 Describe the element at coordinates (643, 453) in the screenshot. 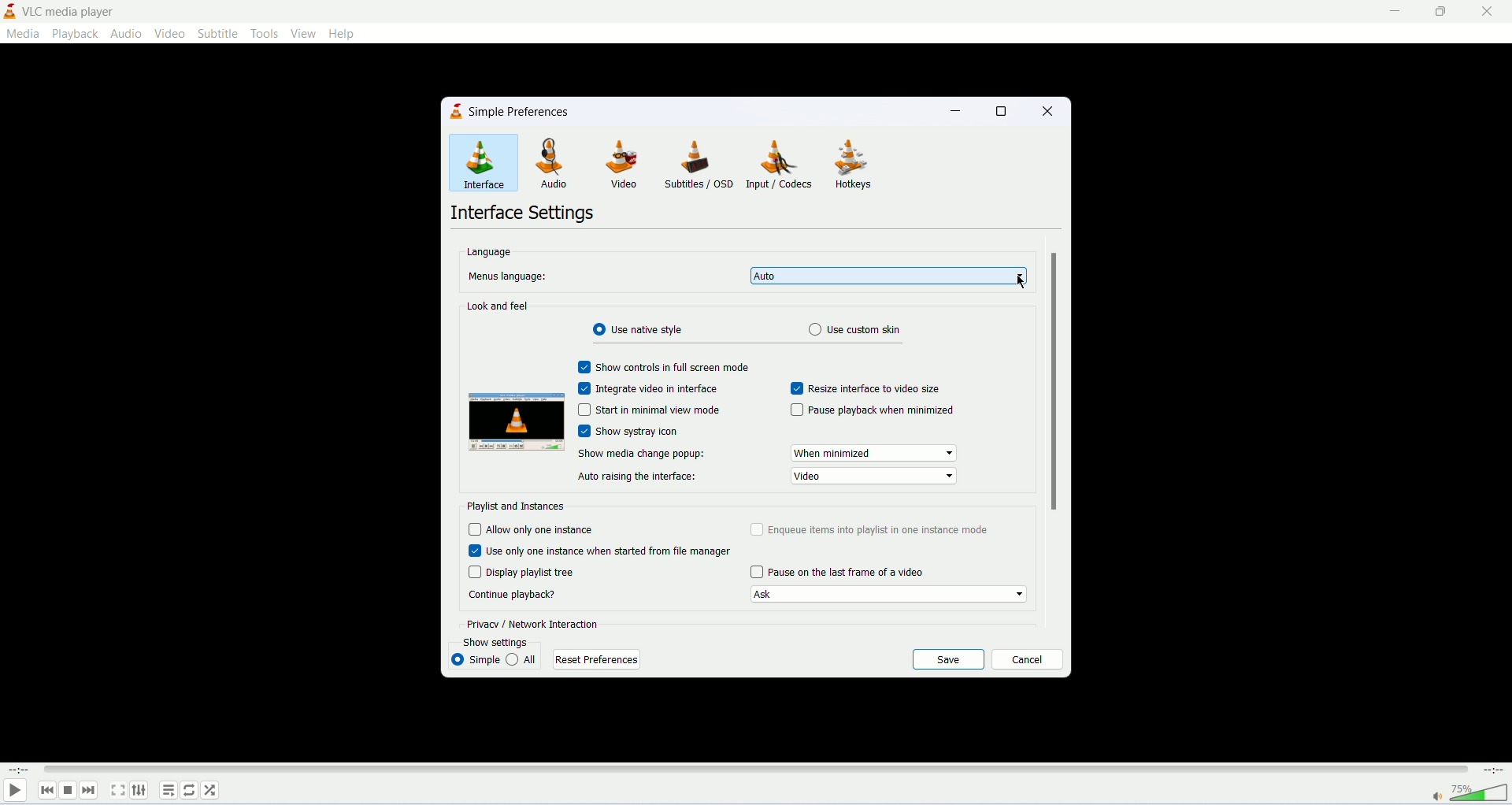

I see `show media change popup` at that location.